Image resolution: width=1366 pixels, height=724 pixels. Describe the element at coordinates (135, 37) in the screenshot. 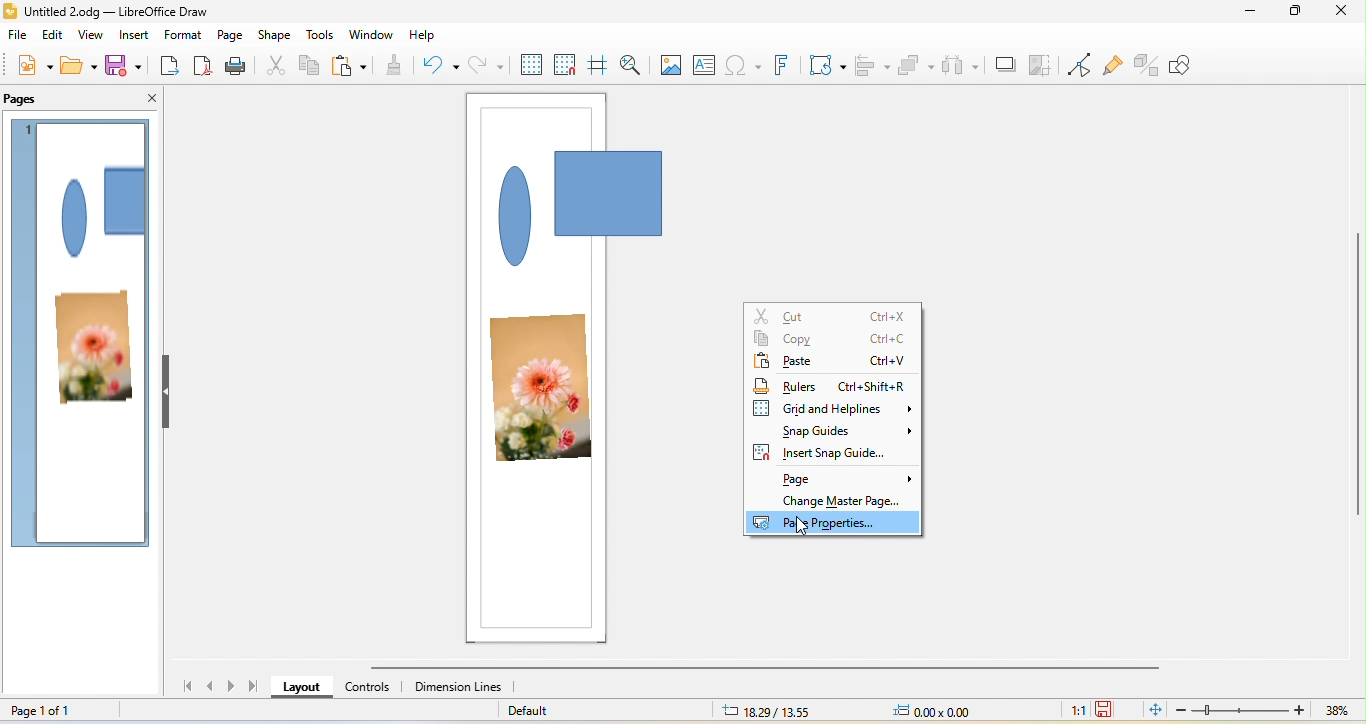

I see `insert` at that location.